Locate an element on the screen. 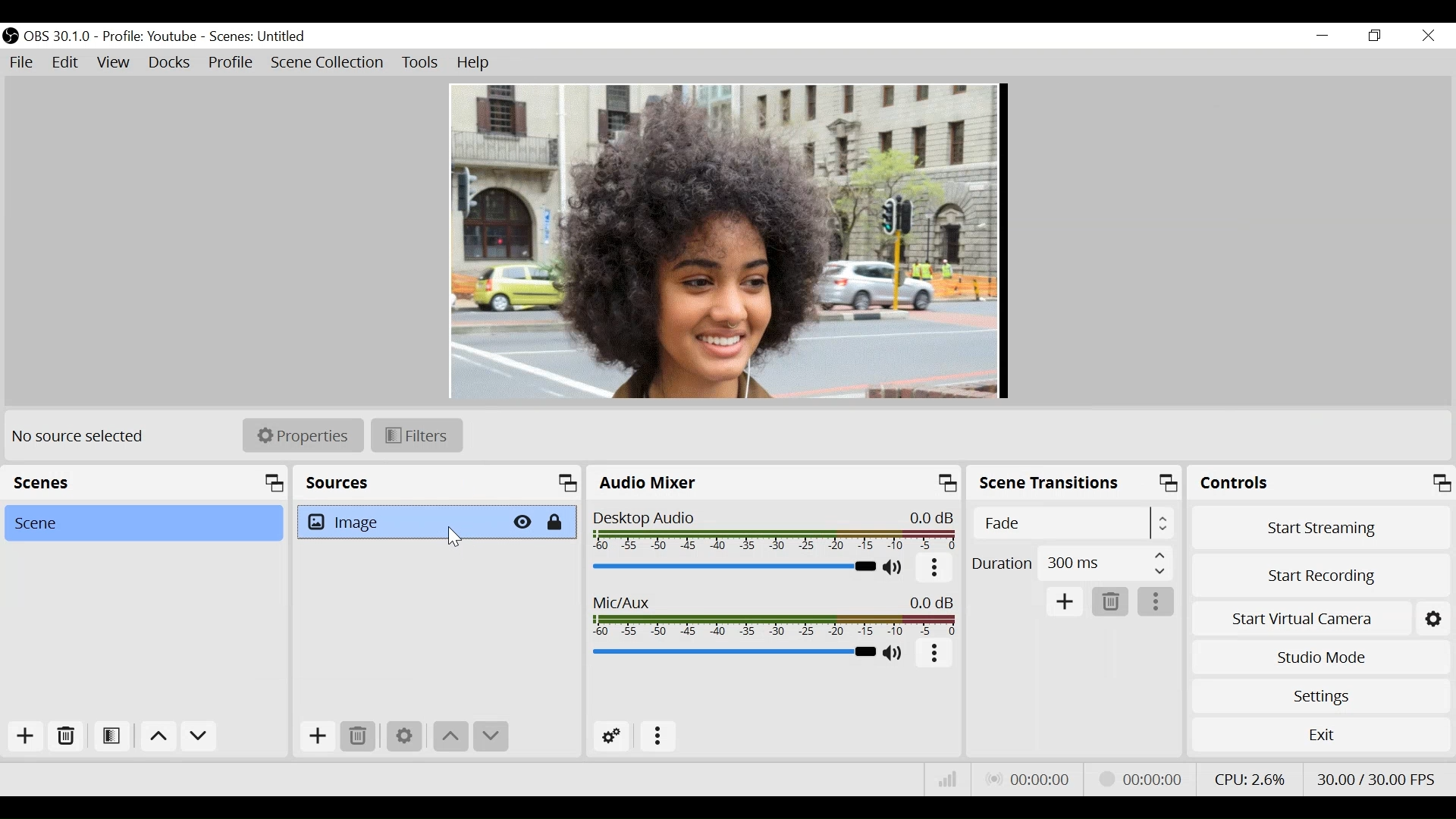 This screenshot has width=1456, height=819. Delete is located at coordinates (358, 736).